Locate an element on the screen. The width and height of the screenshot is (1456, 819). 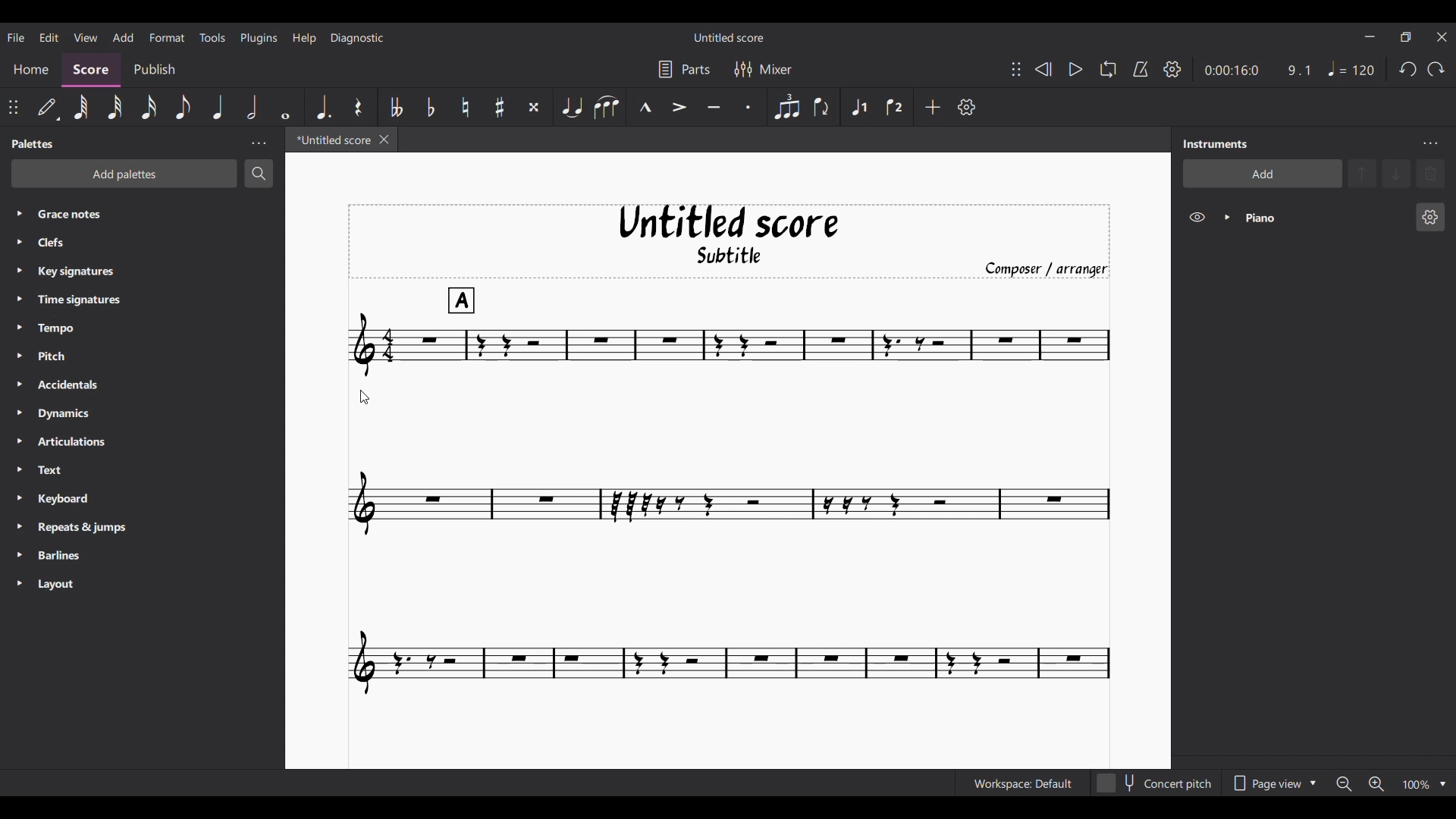
Plugins menu is located at coordinates (260, 37).